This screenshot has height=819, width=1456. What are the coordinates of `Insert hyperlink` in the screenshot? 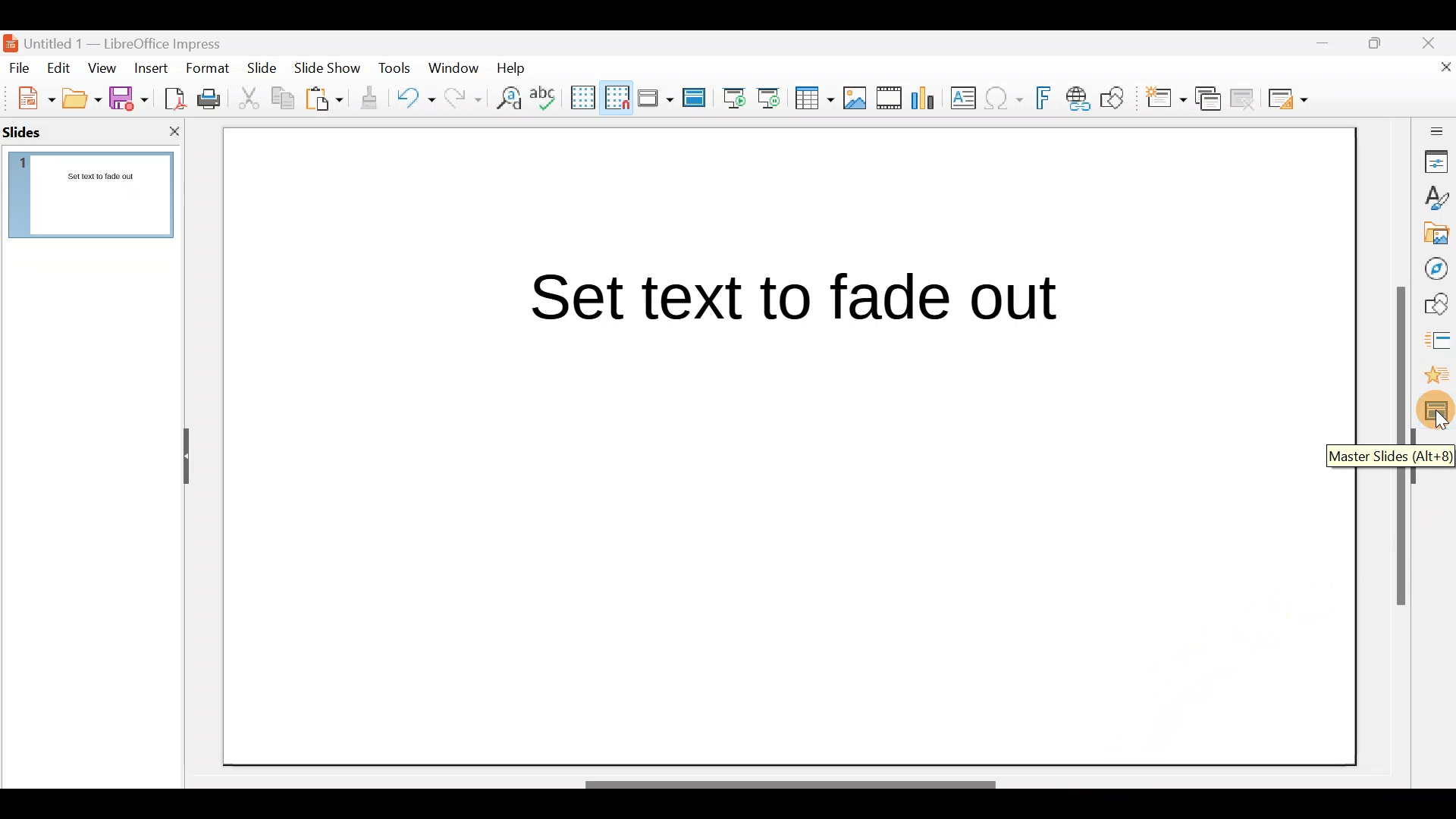 It's located at (1079, 98).